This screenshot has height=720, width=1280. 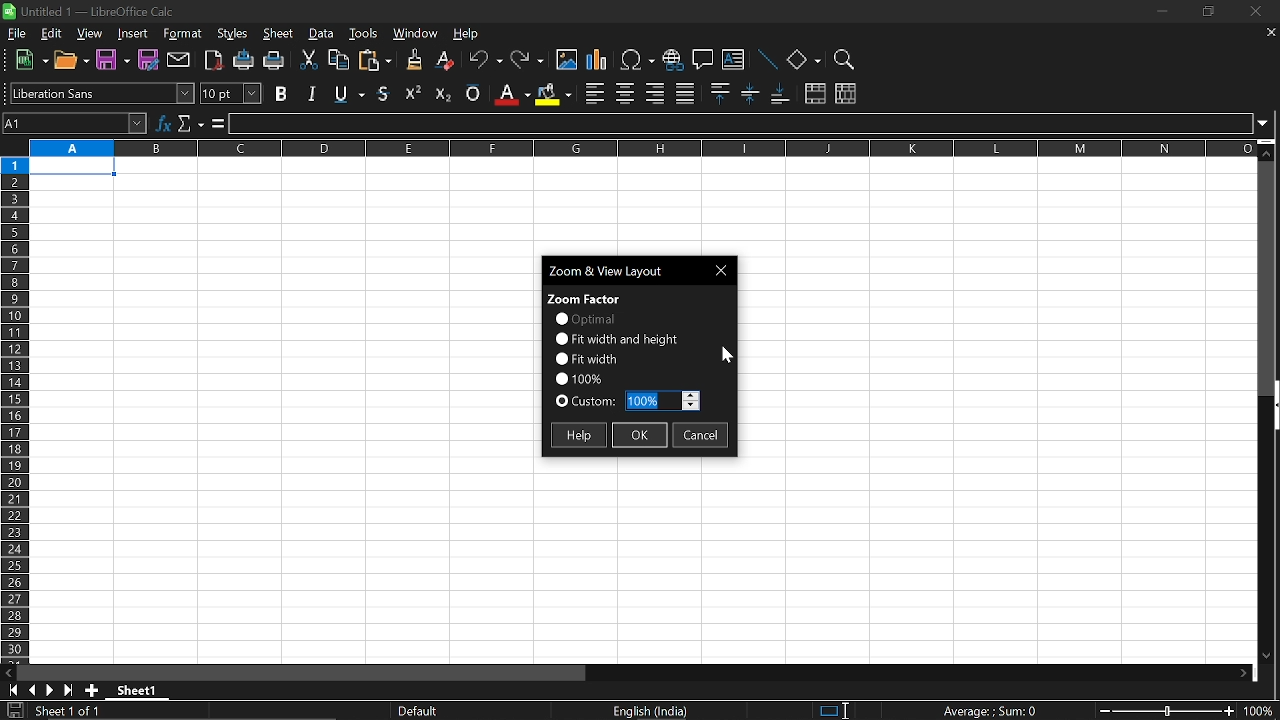 I want to click on insert text, so click(x=733, y=62).